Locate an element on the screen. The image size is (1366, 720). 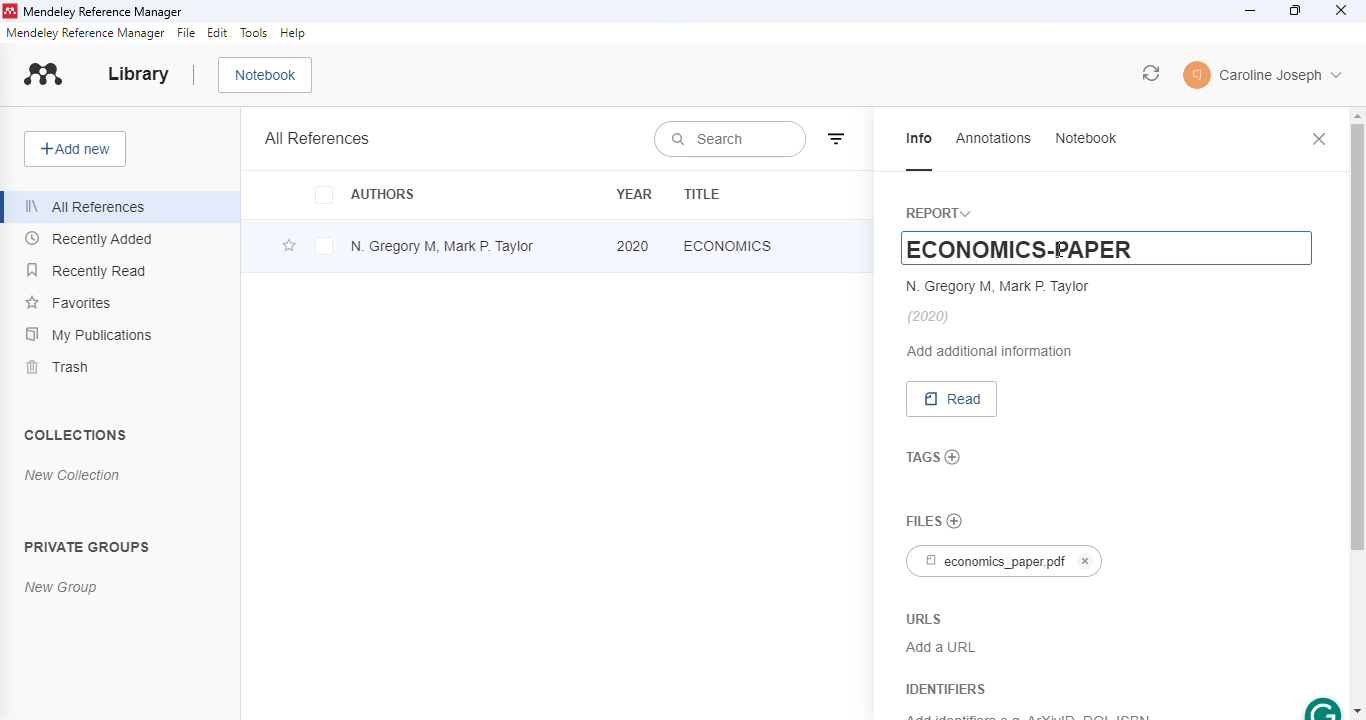
read is located at coordinates (952, 399).